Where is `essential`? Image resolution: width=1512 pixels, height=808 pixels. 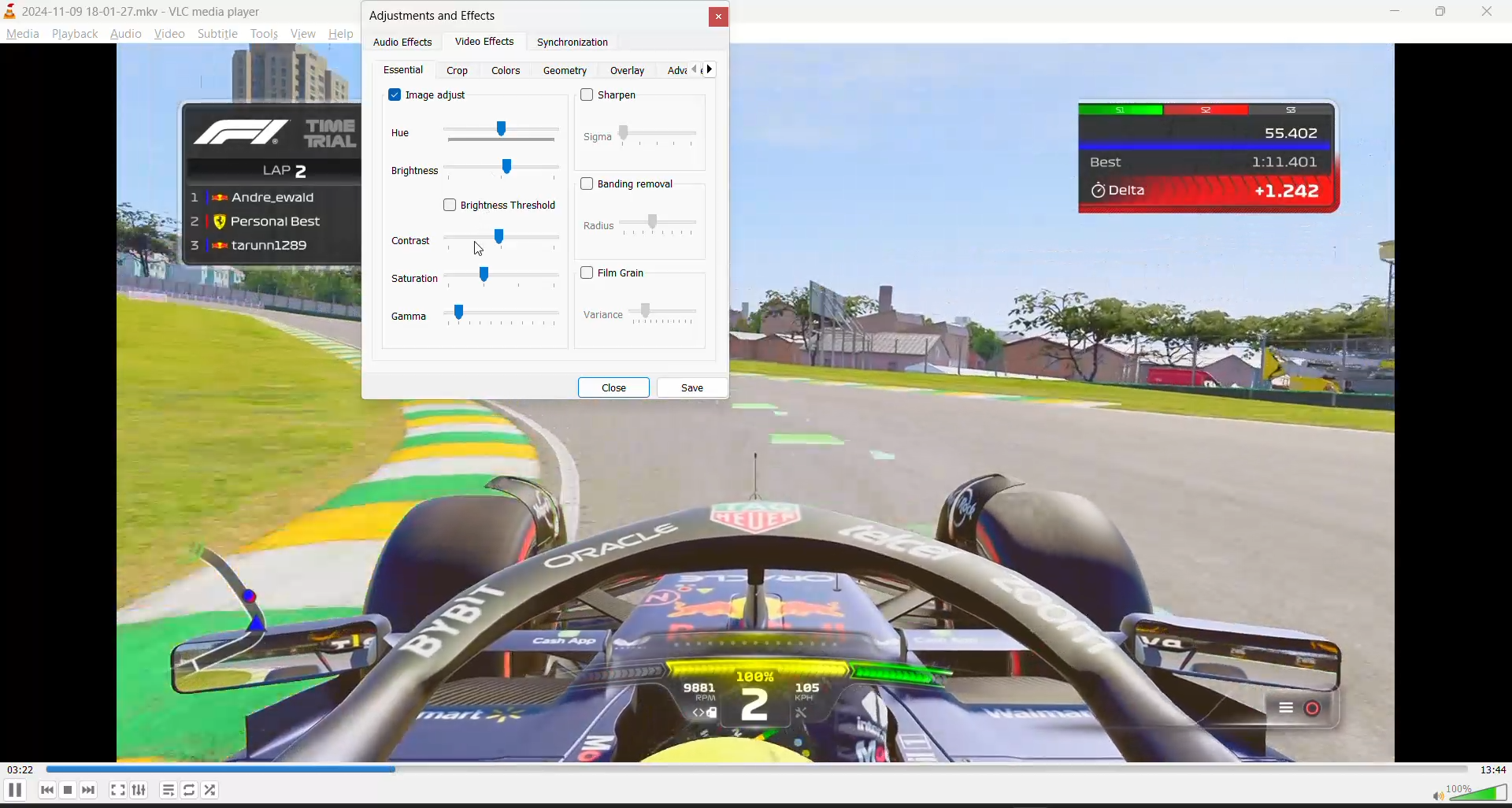
essential is located at coordinates (406, 71).